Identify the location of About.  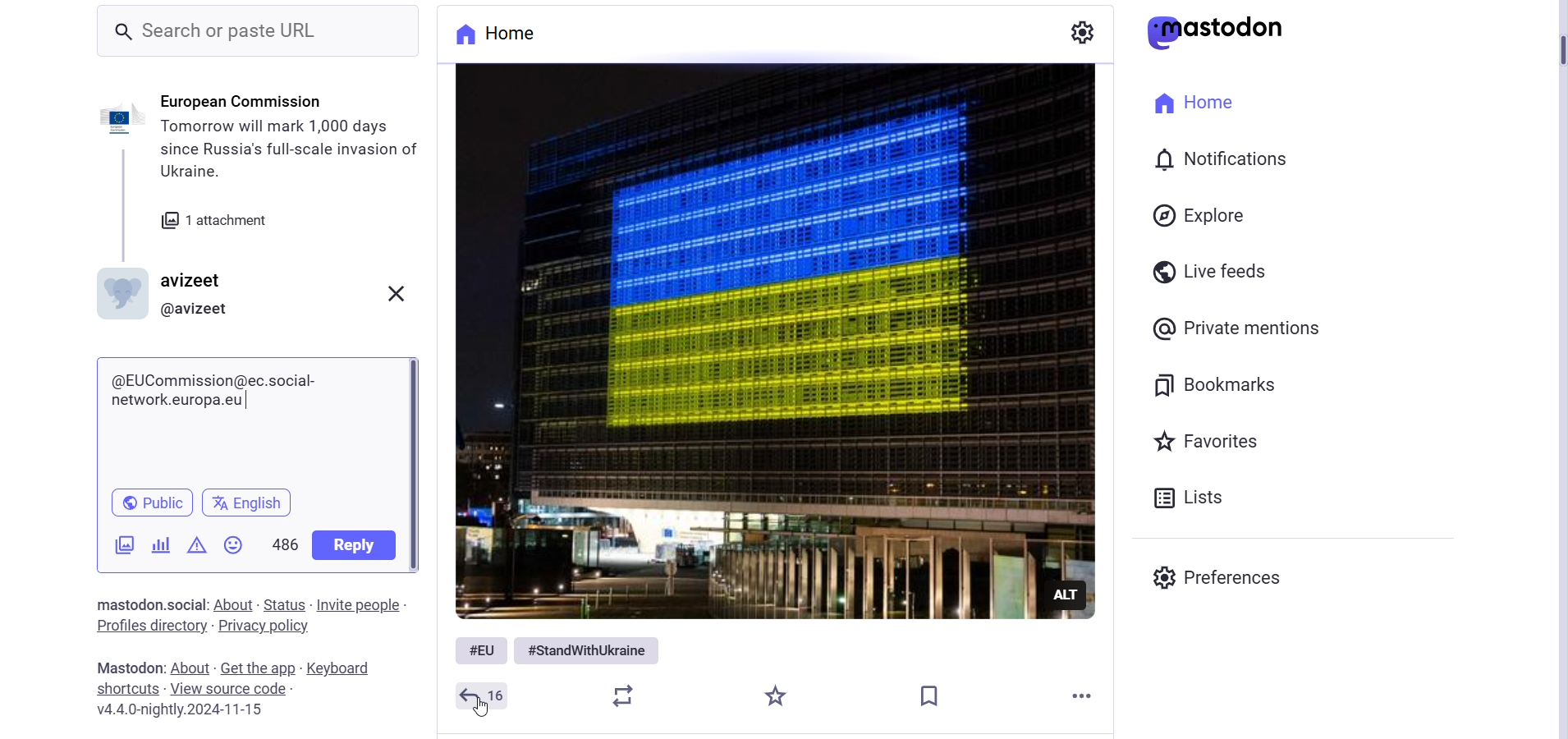
(234, 604).